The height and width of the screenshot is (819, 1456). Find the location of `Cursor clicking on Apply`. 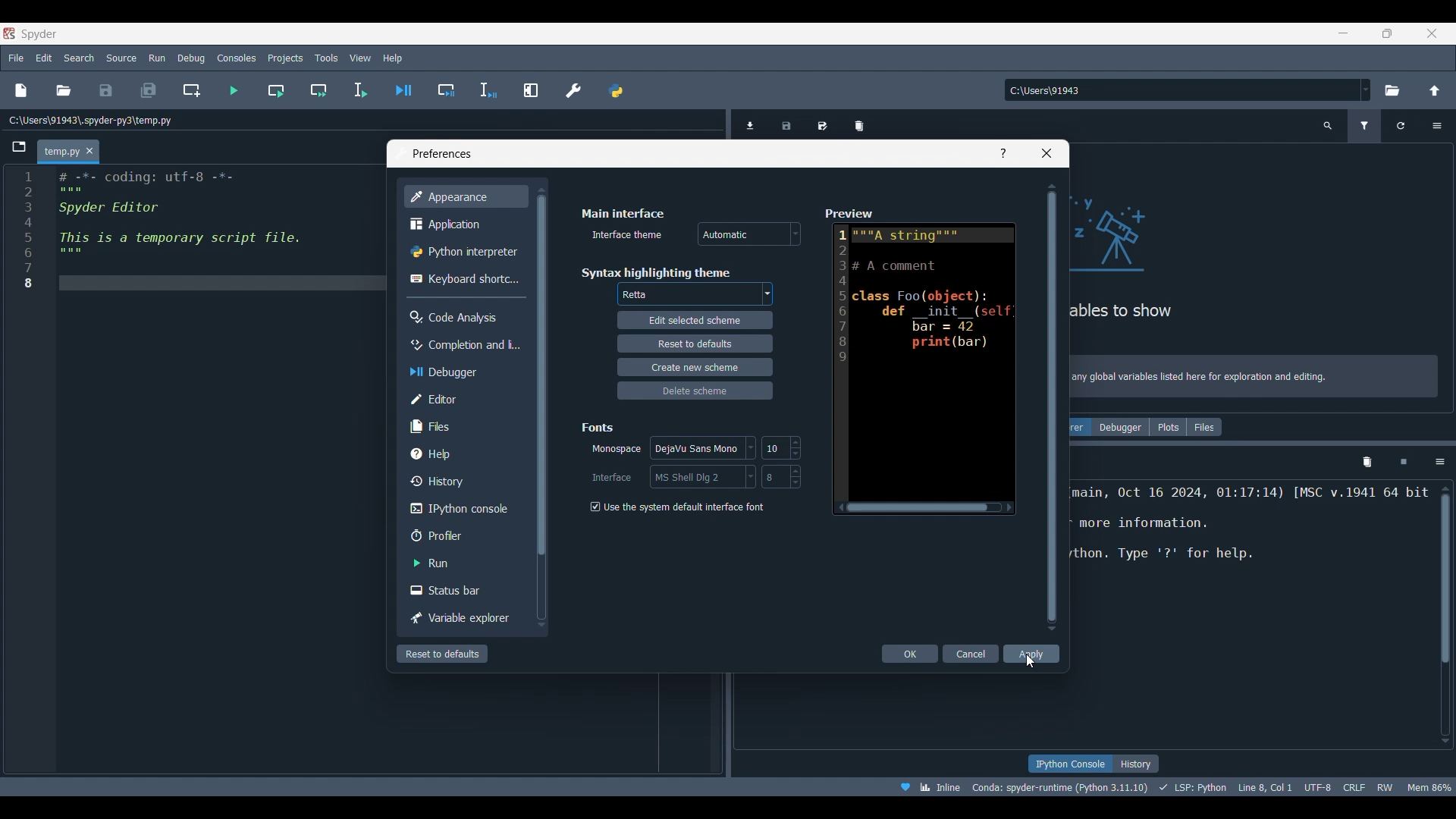

Cursor clicking on Apply is located at coordinates (1030, 661).